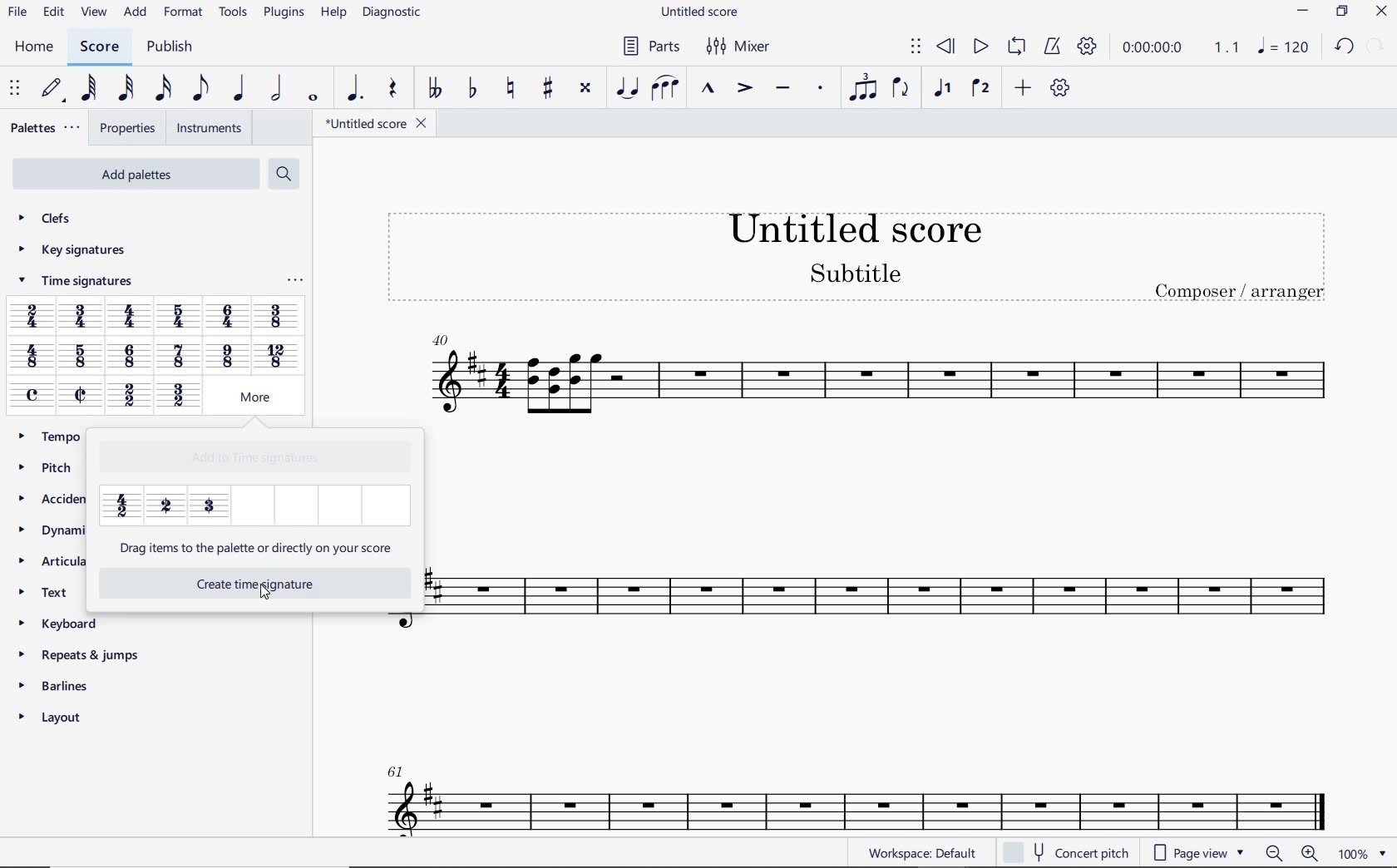 The height and width of the screenshot is (868, 1397). I want to click on INSTRUMENT: TENOR SAXOPHONE, so click(848, 787).